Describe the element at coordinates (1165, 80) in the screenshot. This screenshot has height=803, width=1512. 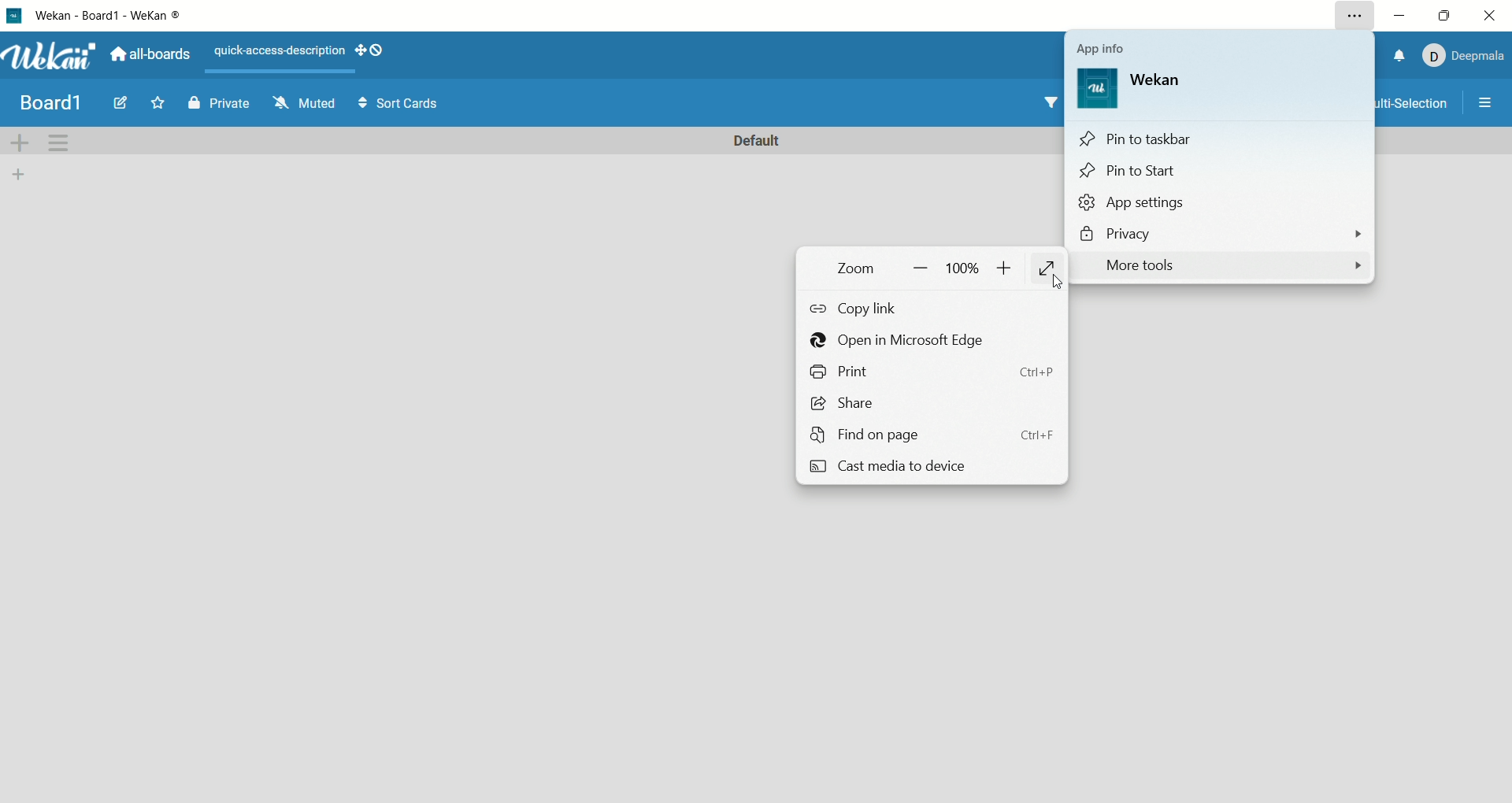
I see `wekan` at that location.